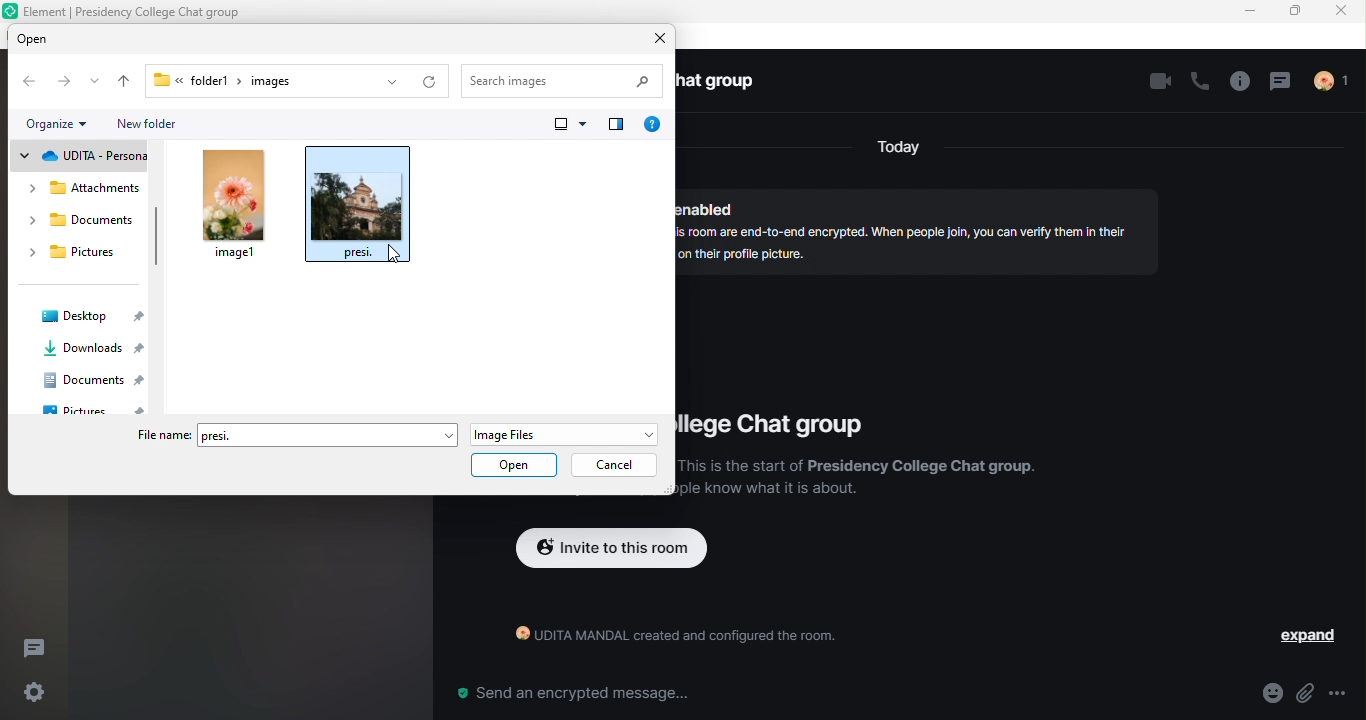  I want to click on maximize, so click(1297, 13).